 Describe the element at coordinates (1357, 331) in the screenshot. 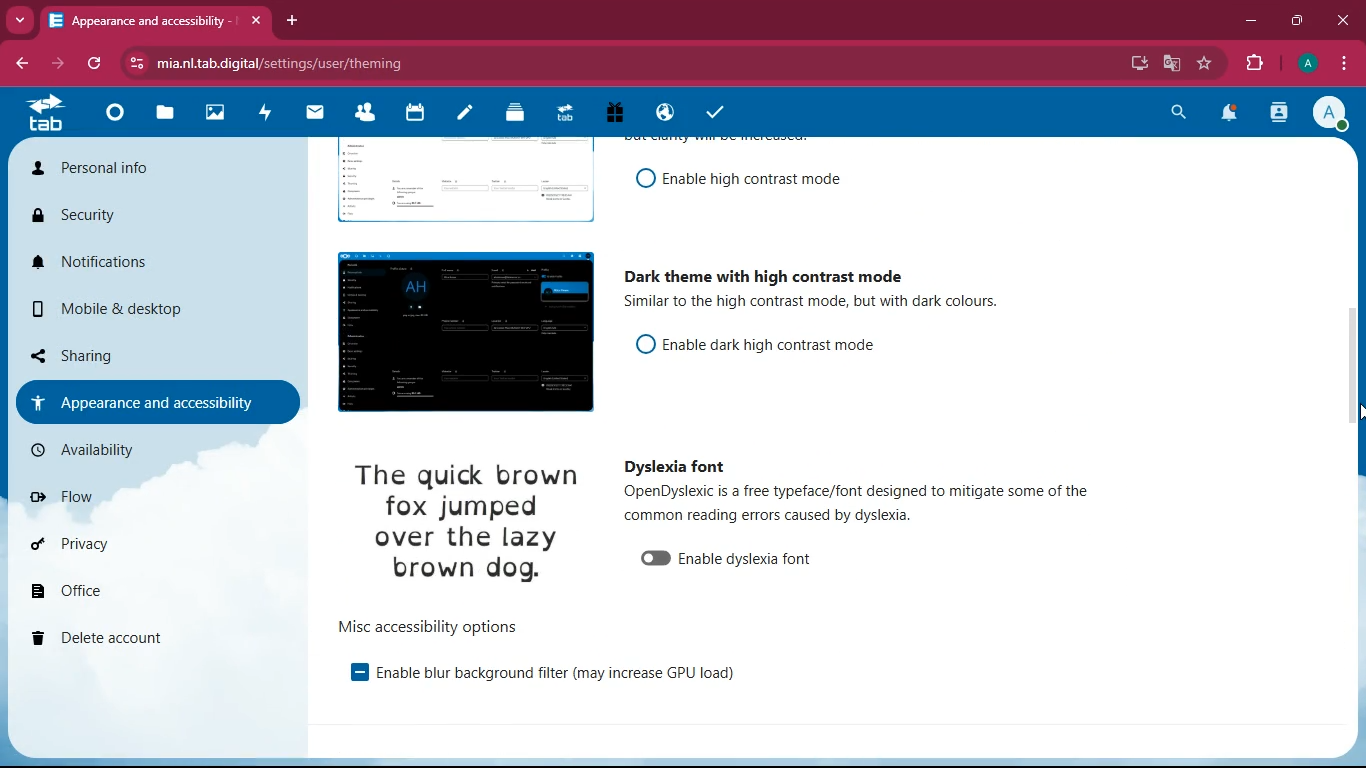

I see `scroll bar` at that location.